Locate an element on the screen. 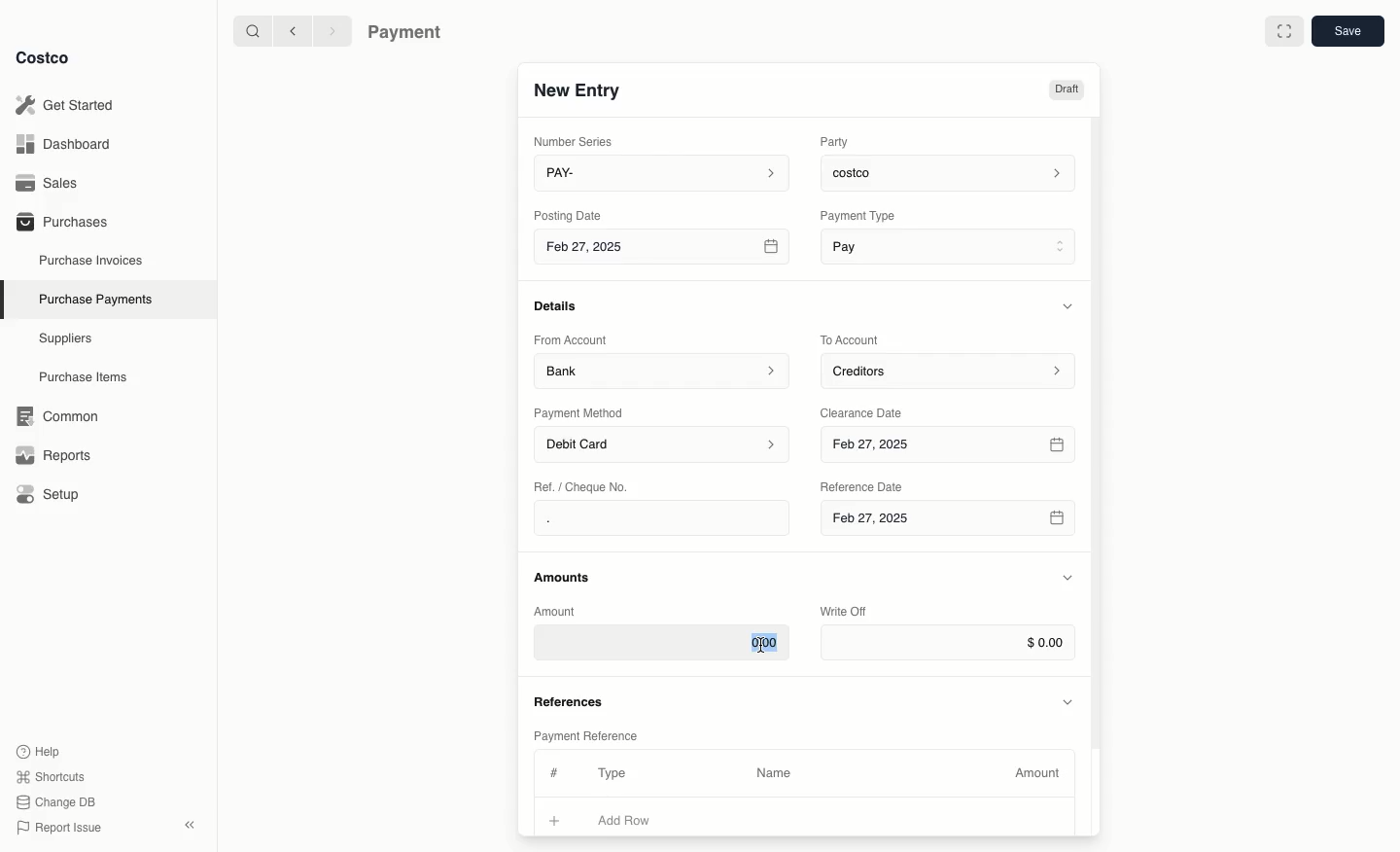 This screenshot has width=1400, height=852. Shortcuts is located at coordinates (50, 775).